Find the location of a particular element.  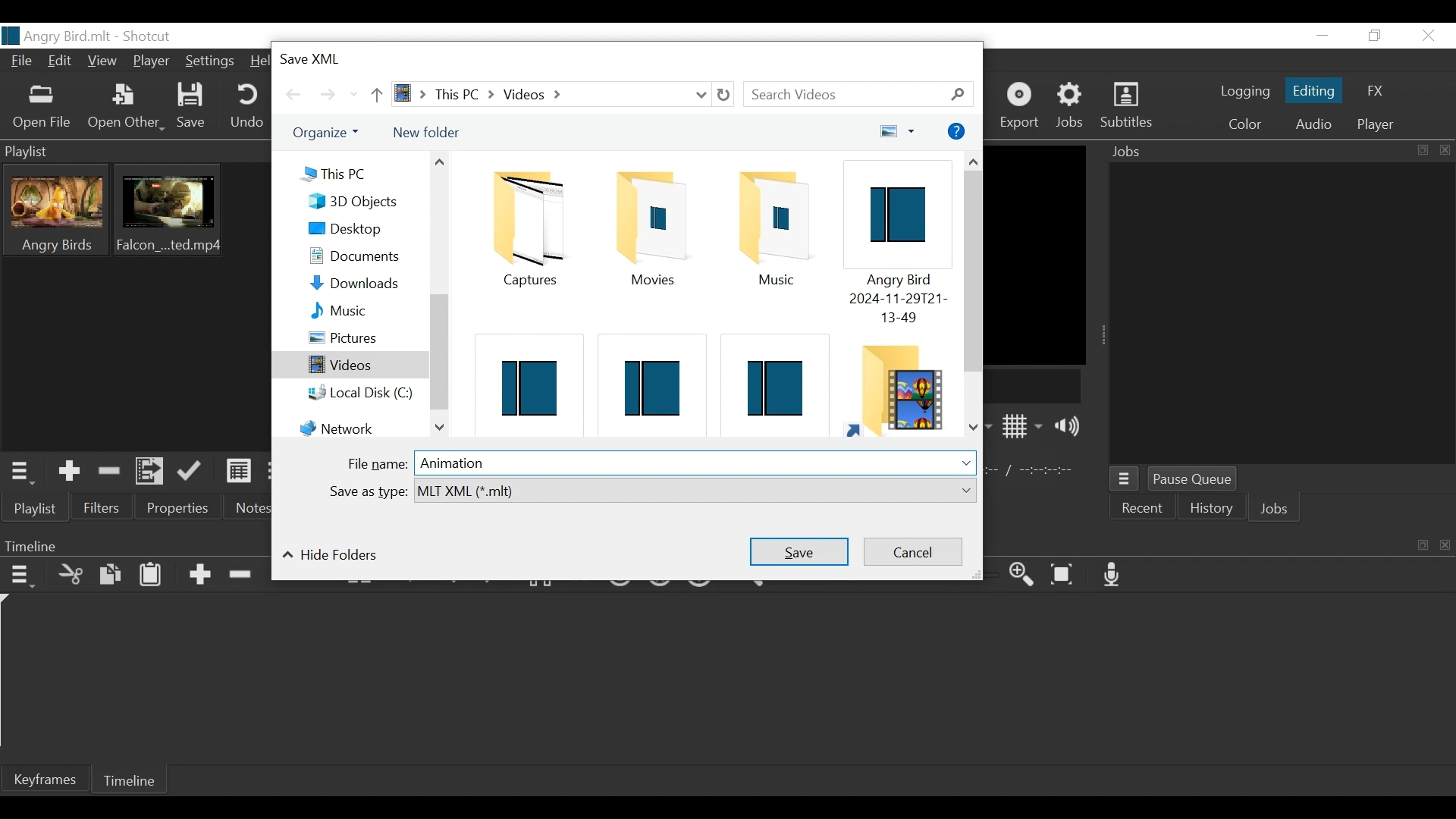

Add the Source to the playlist is located at coordinates (70, 472).